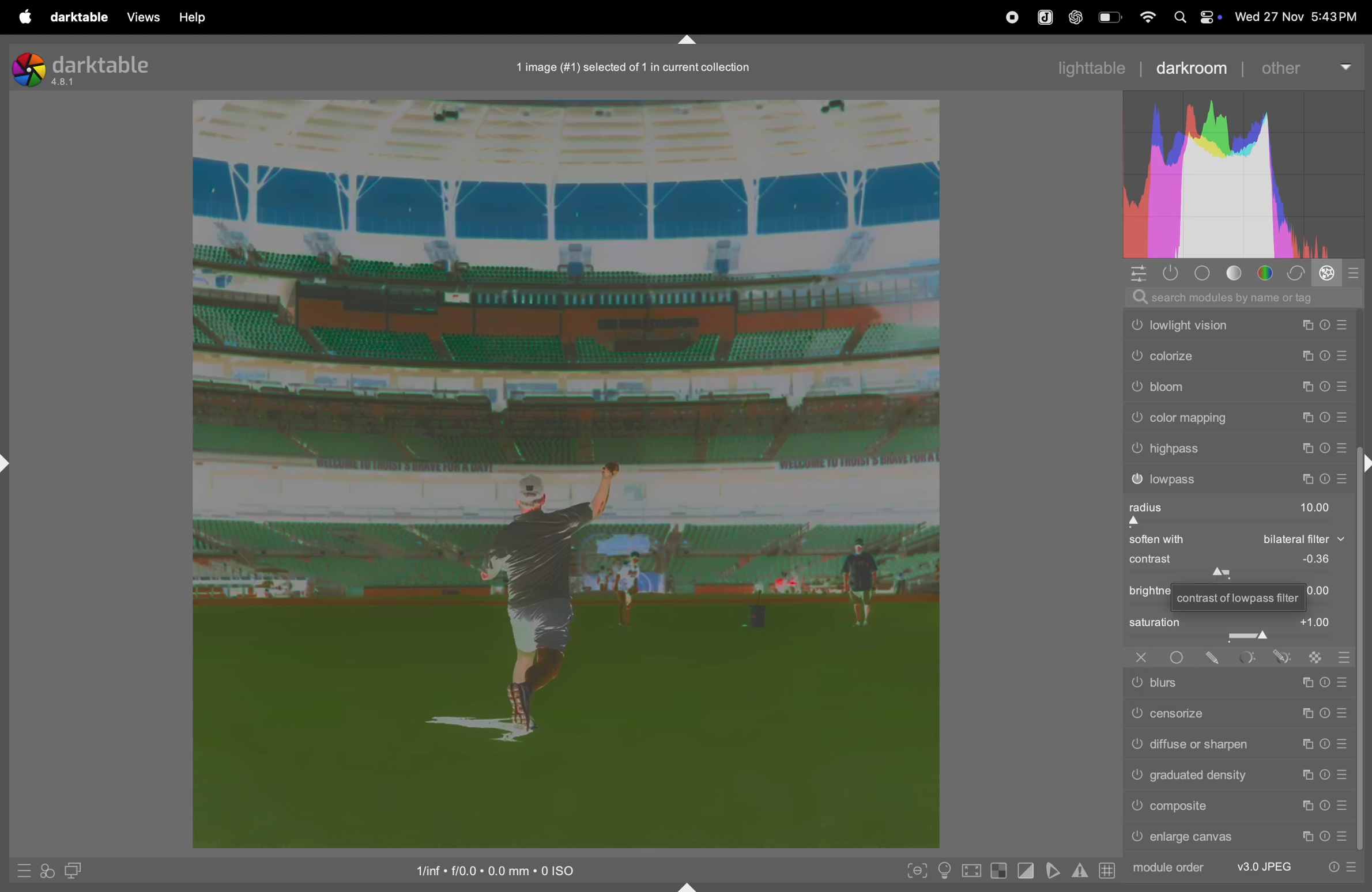 This screenshot has width=1372, height=892. What do you see at coordinates (1245, 866) in the screenshot?
I see `module order` at bounding box center [1245, 866].